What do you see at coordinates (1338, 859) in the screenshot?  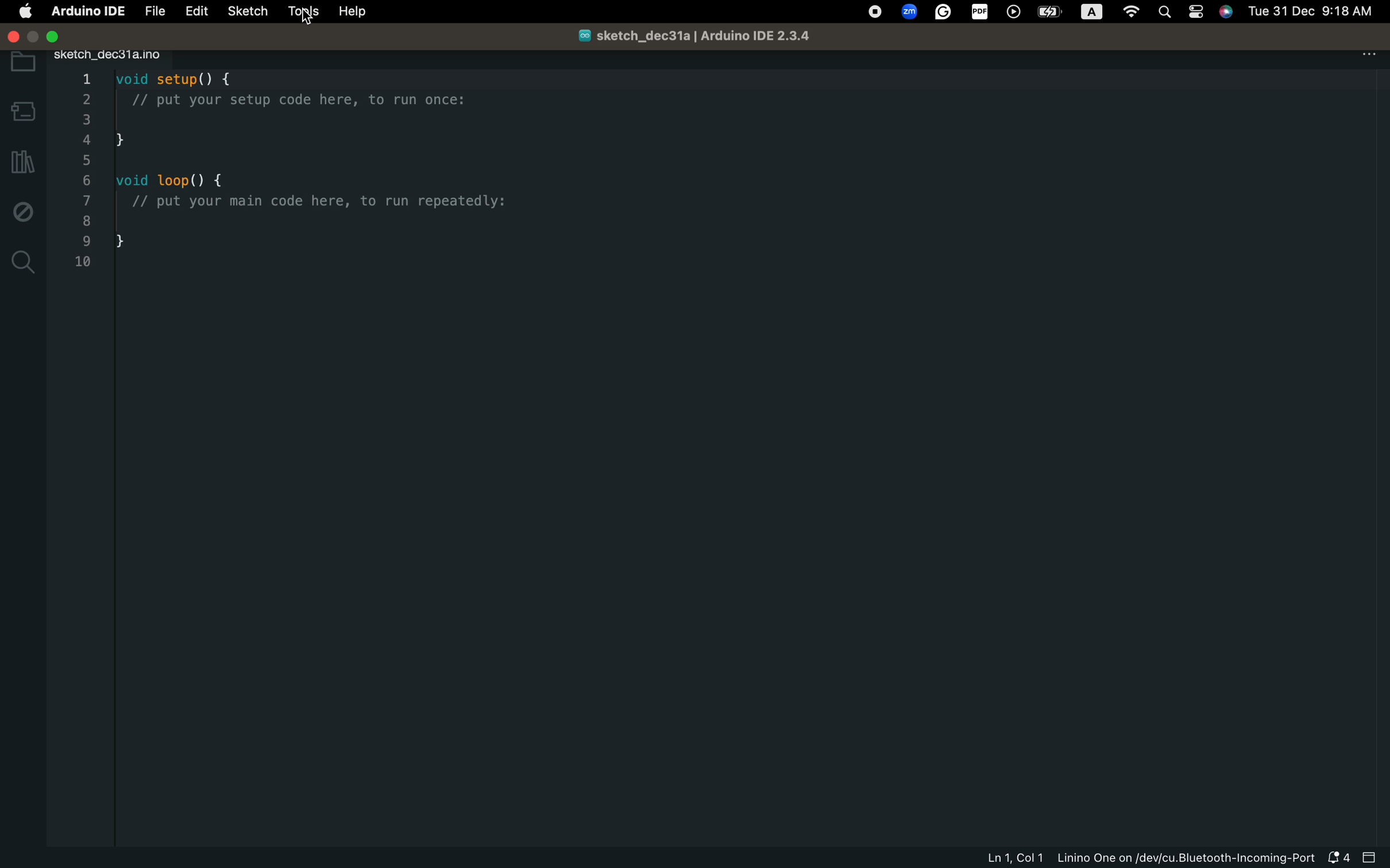 I see `notification` at bounding box center [1338, 859].